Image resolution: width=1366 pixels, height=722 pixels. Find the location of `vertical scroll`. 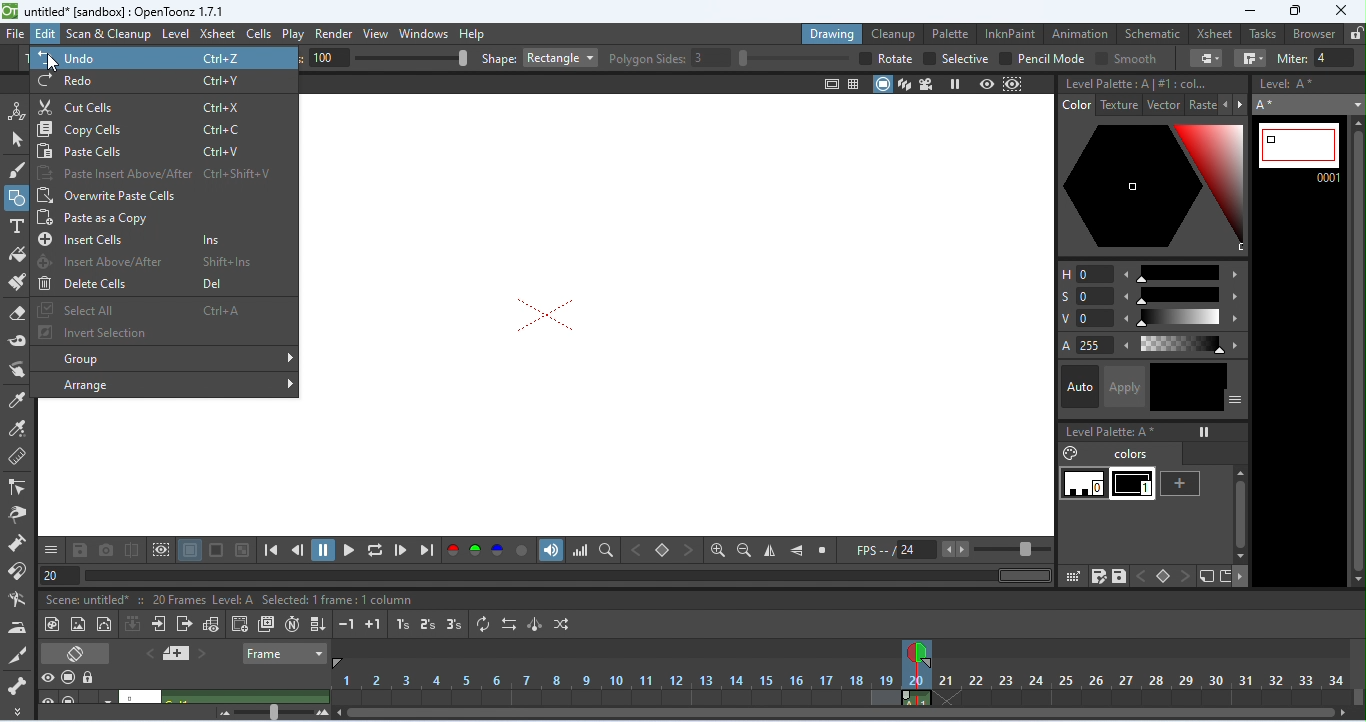

vertical scroll is located at coordinates (1238, 515).